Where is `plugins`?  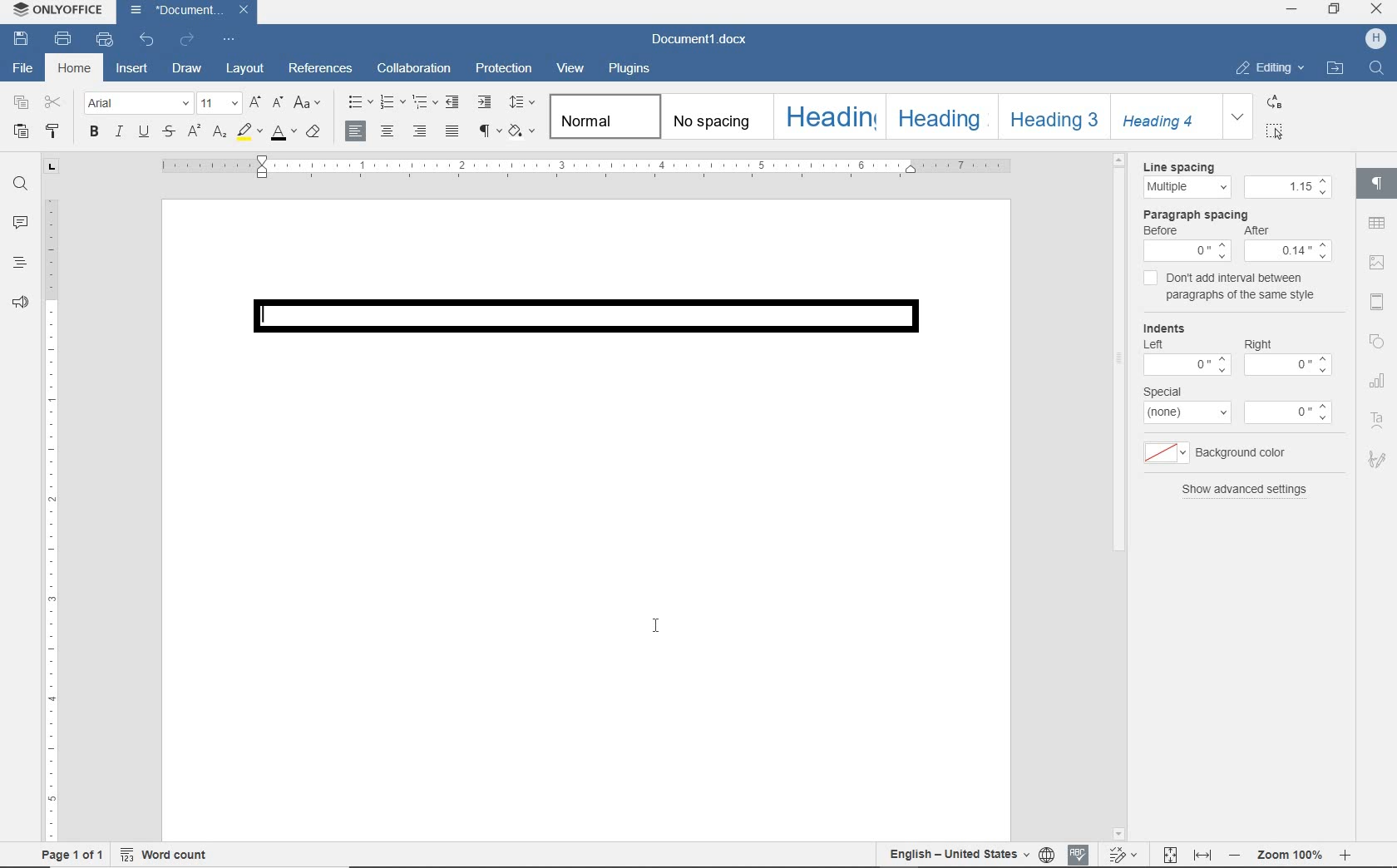
plugins is located at coordinates (636, 69).